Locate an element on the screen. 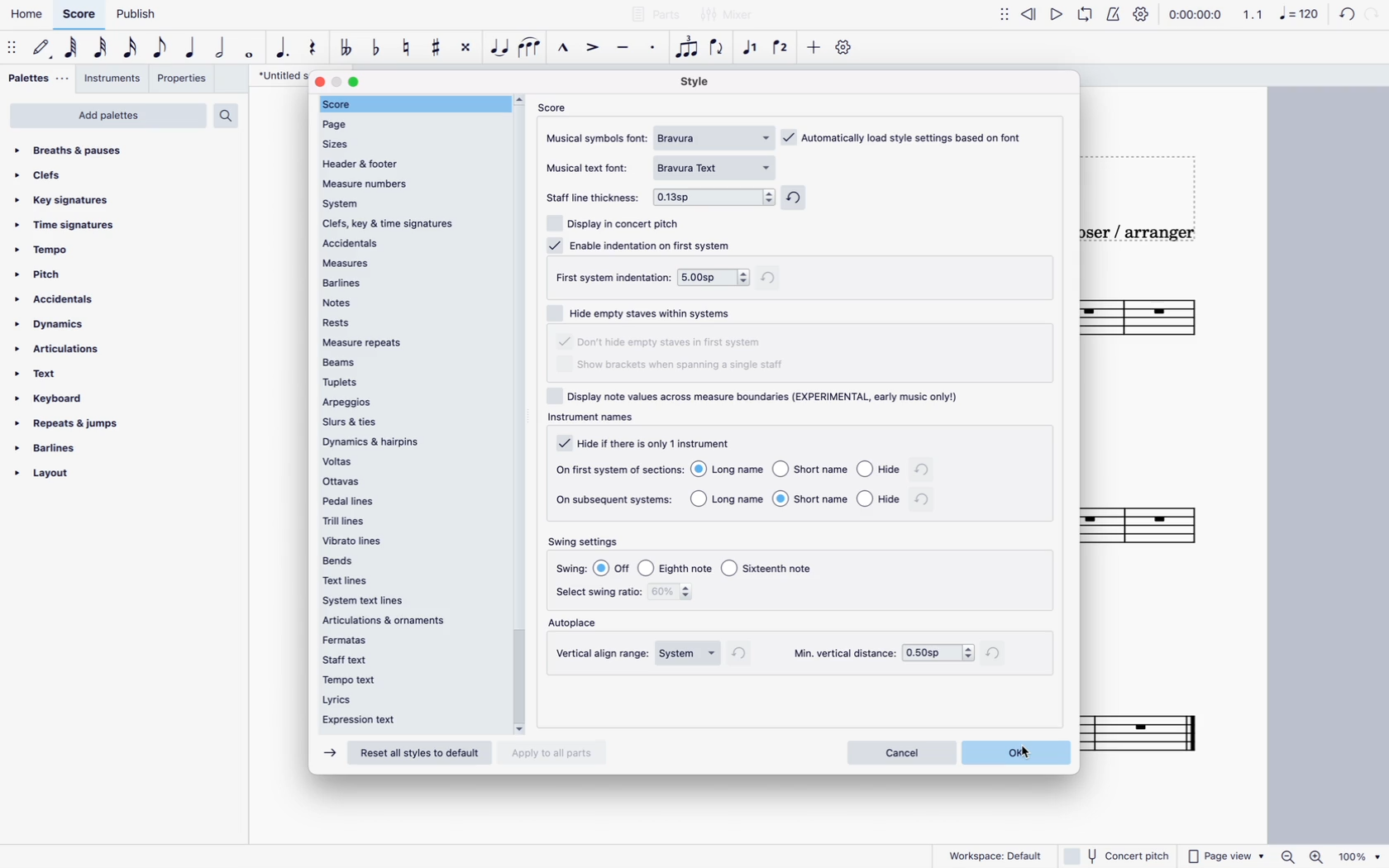  Cursor is located at coordinates (499, 48).